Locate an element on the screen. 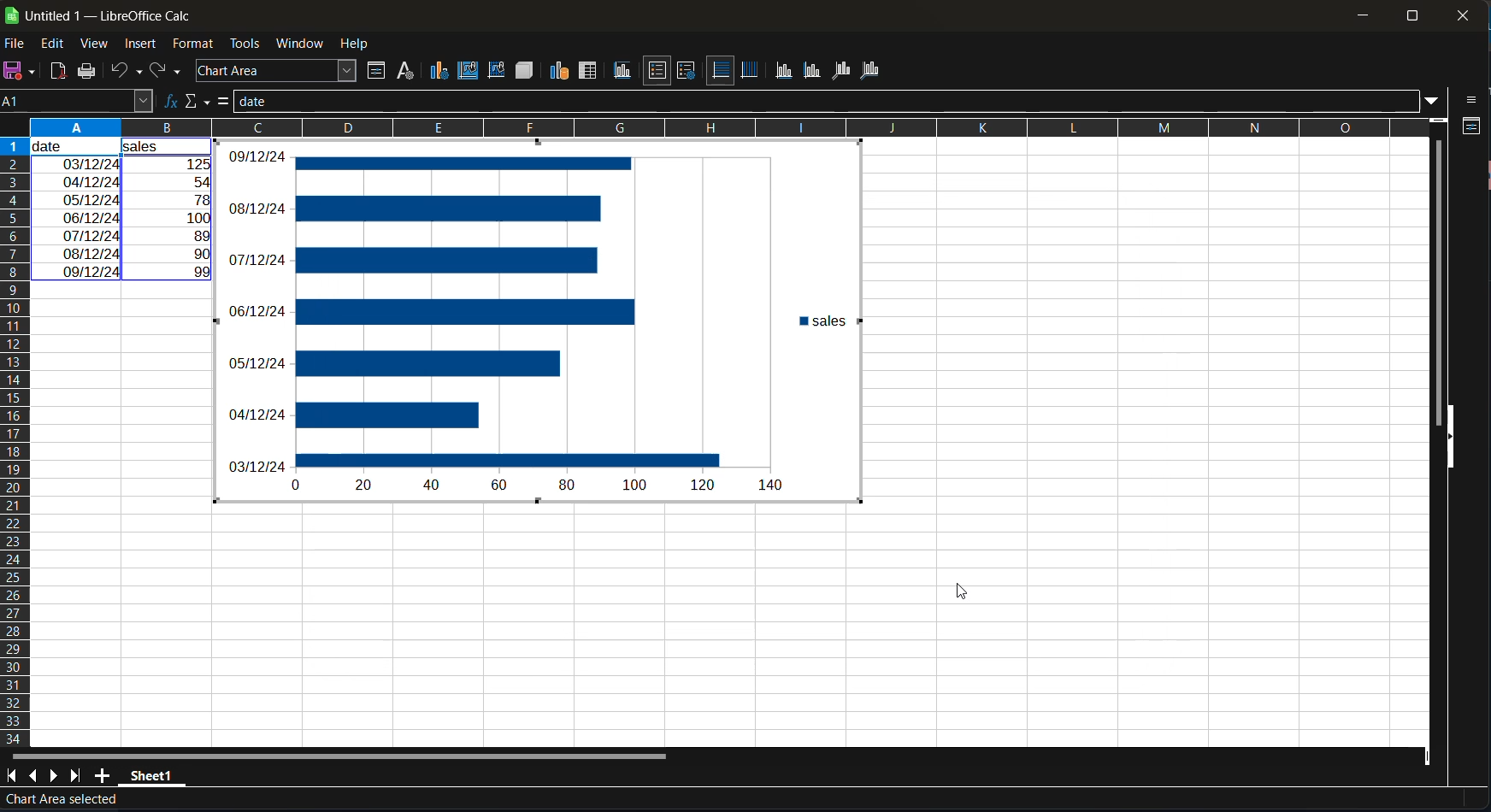 The height and width of the screenshot is (812, 1491). data tables is located at coordinates (589, 72).